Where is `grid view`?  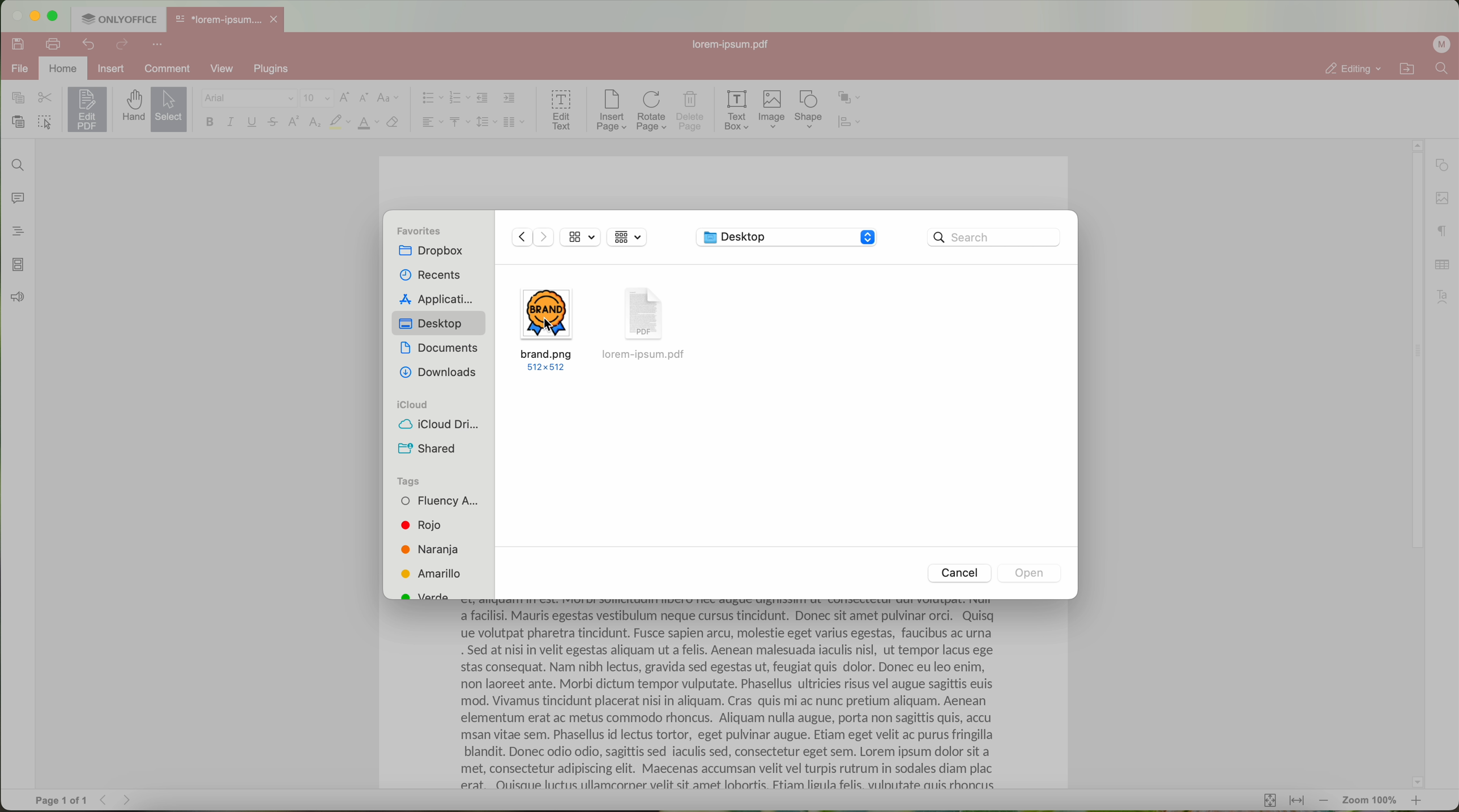 grid view is located at coordinates (629, 237).